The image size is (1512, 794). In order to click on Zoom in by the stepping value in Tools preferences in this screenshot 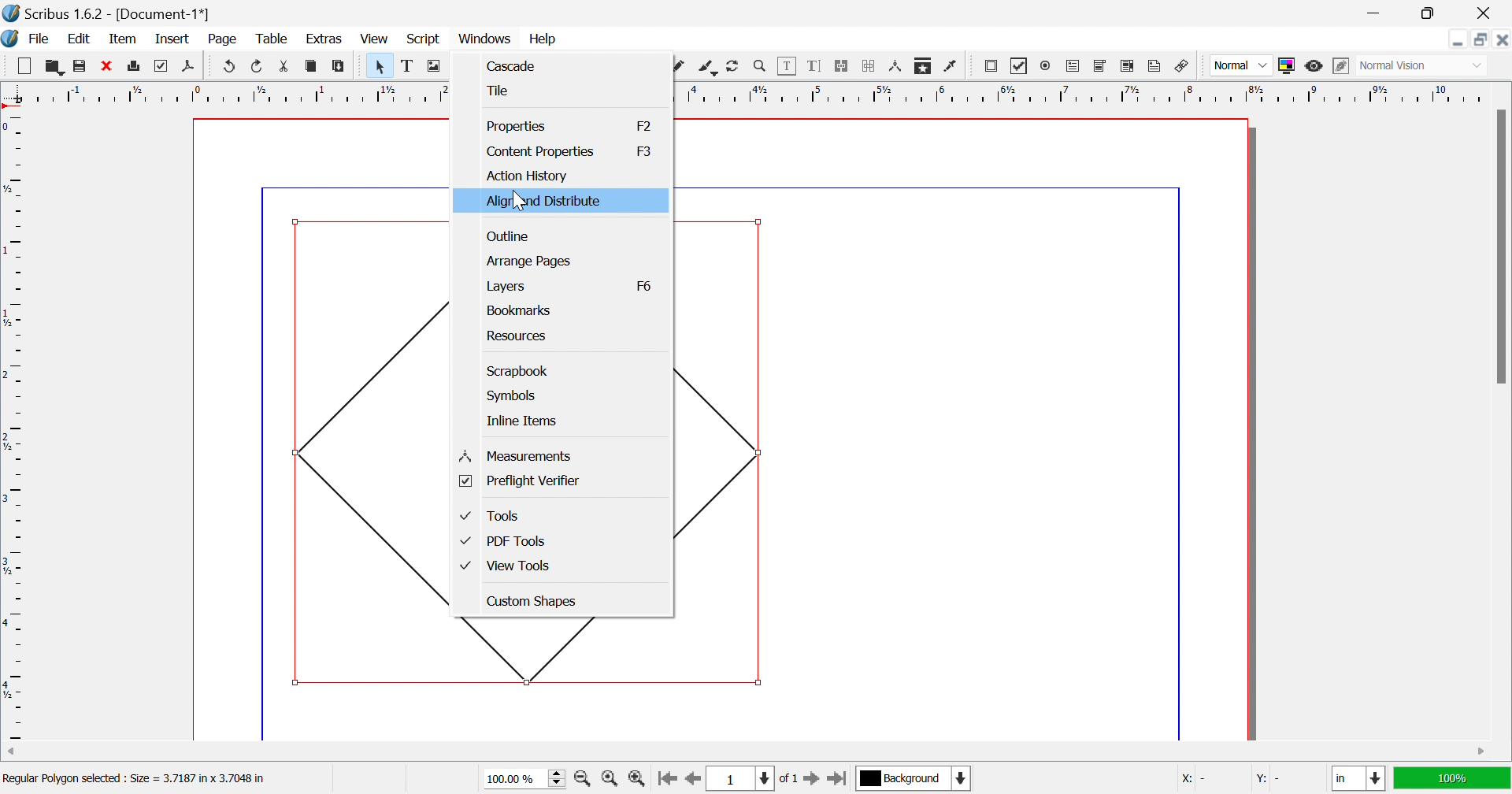, I will do `click(636, 782)`.